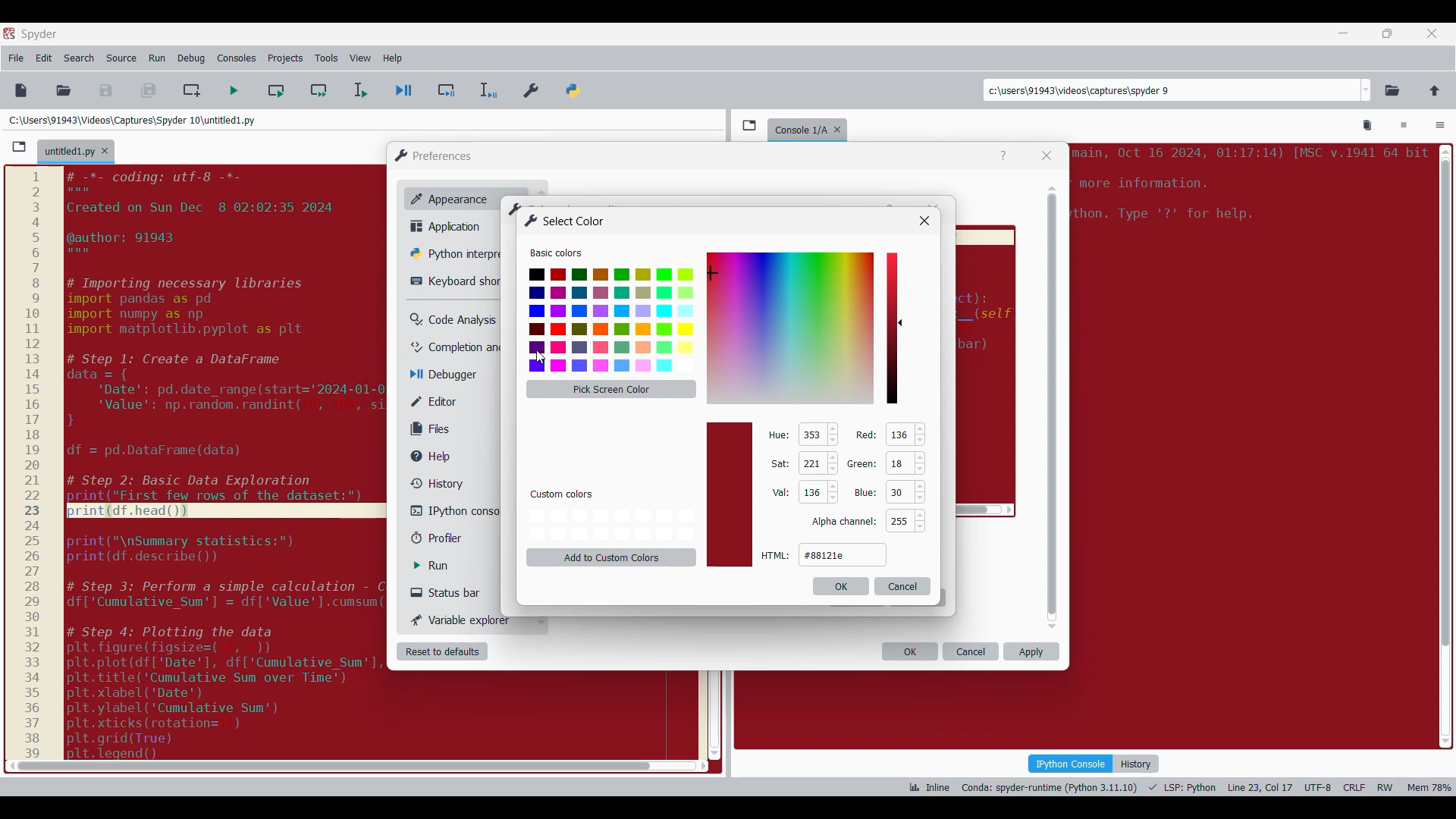  What do you see at coordinates (462, 620) in the screenshot?
I see `Variable explorer` at bounding box center [462, 620].